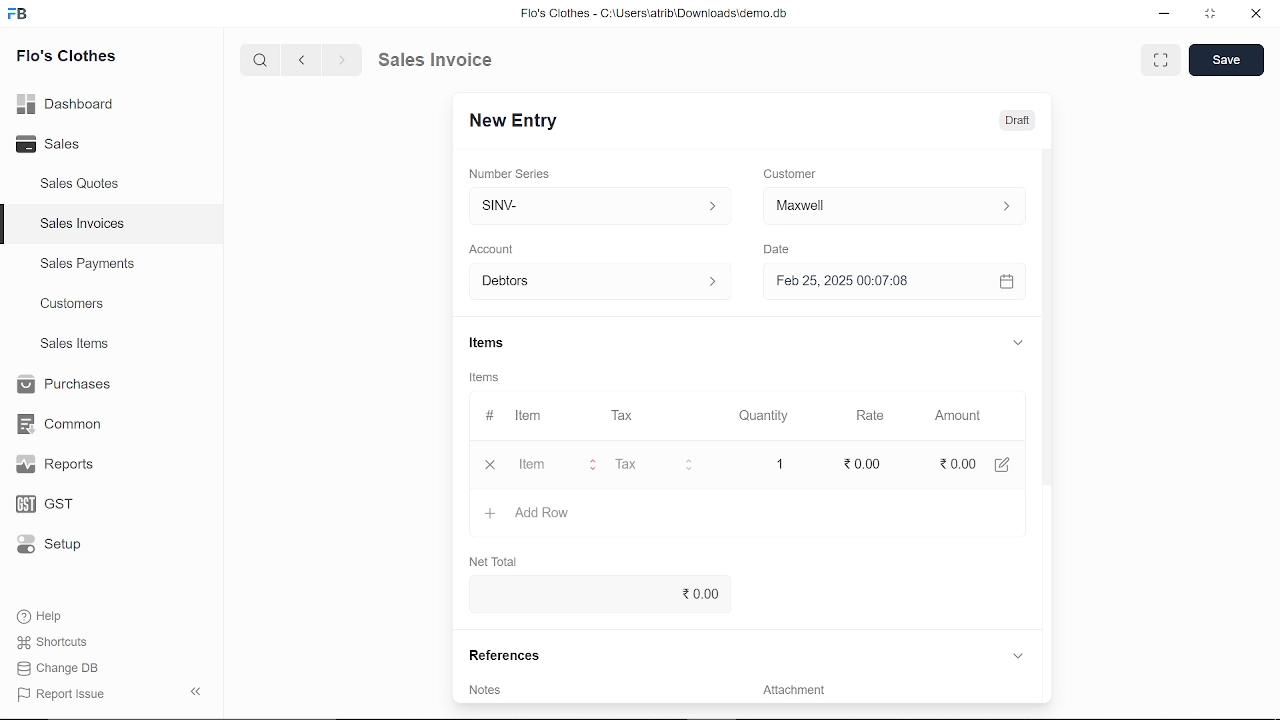 The width and height of the screenshot is (1280, 720). I want to click on edit amount, so click(1003, 463).